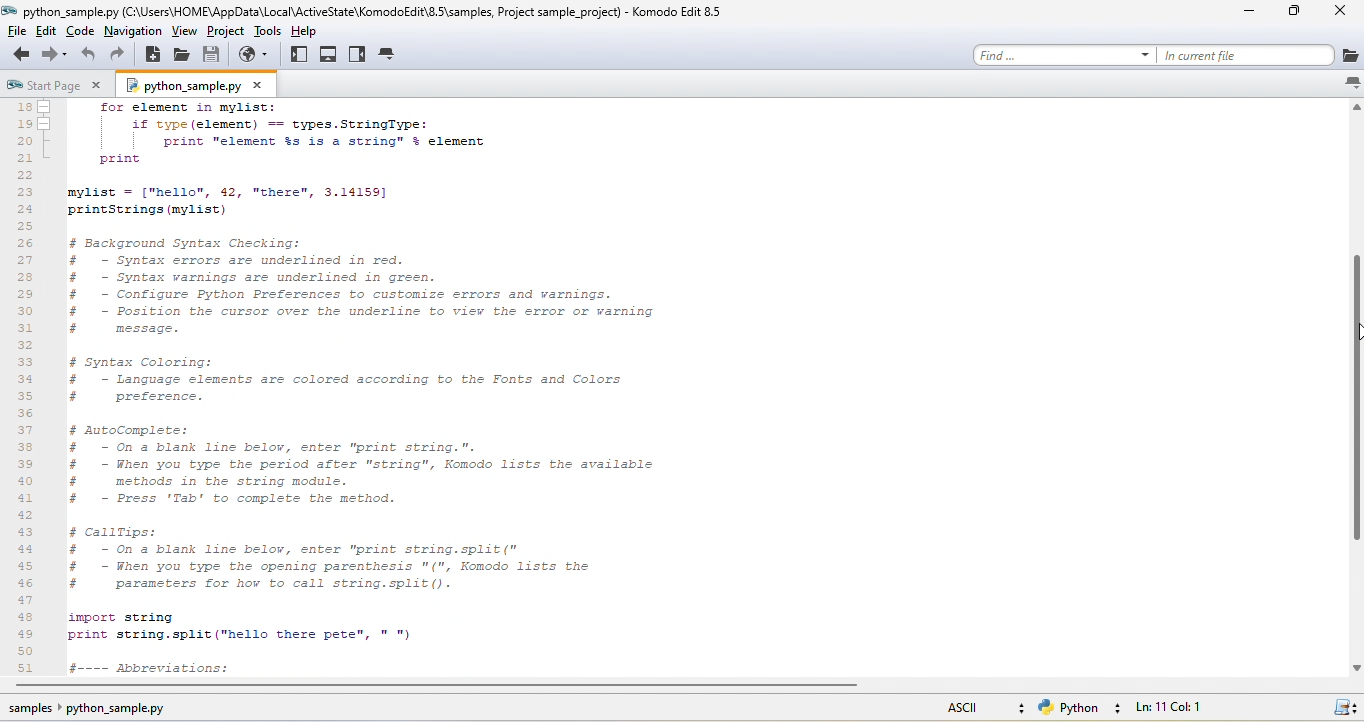 This screenshot has height=722, width=1364. Describe the element at coordinates (213, 54) in the screenshot. I see `save` at that location.